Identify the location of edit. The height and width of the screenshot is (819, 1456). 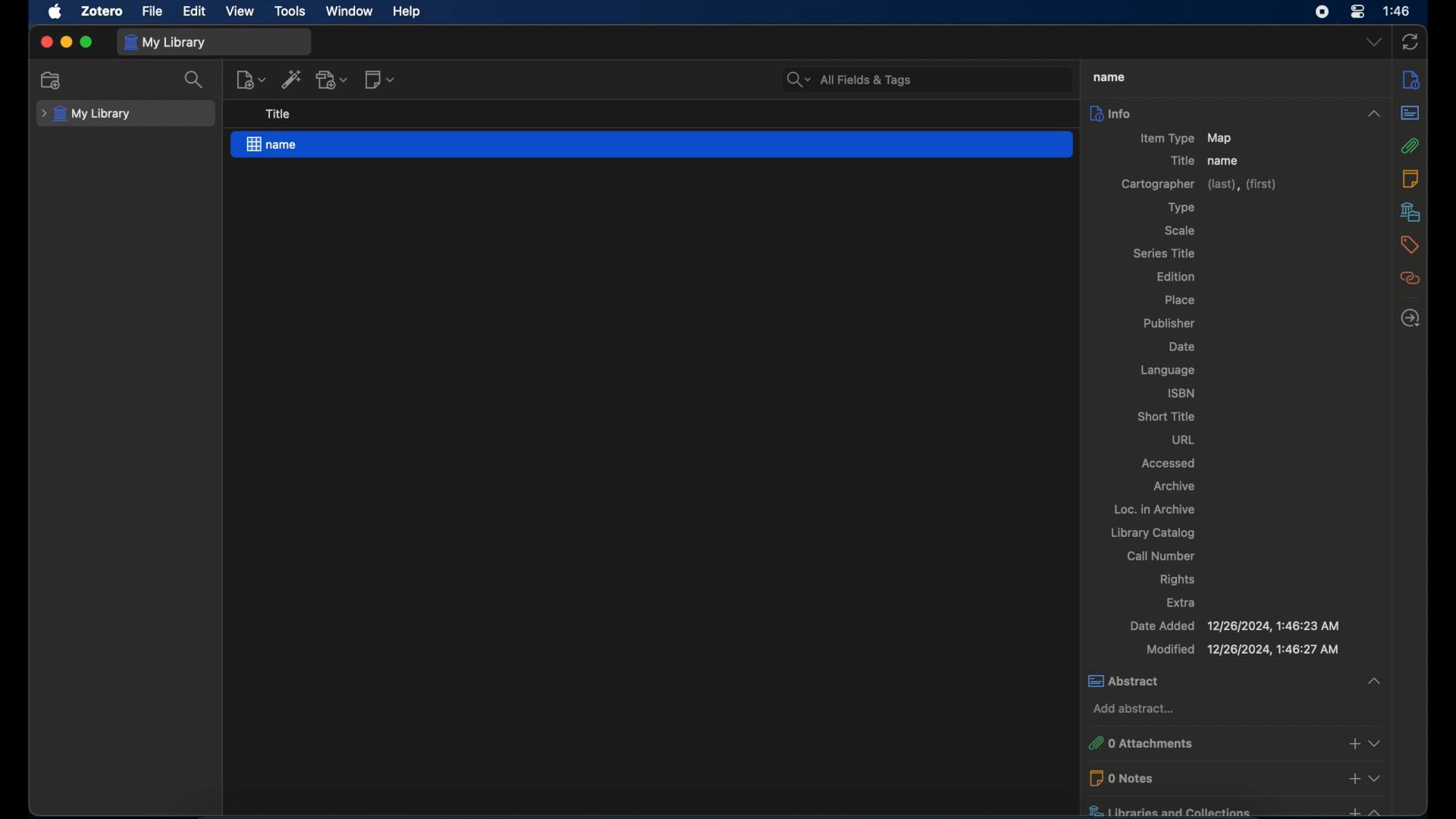
(193, 11).